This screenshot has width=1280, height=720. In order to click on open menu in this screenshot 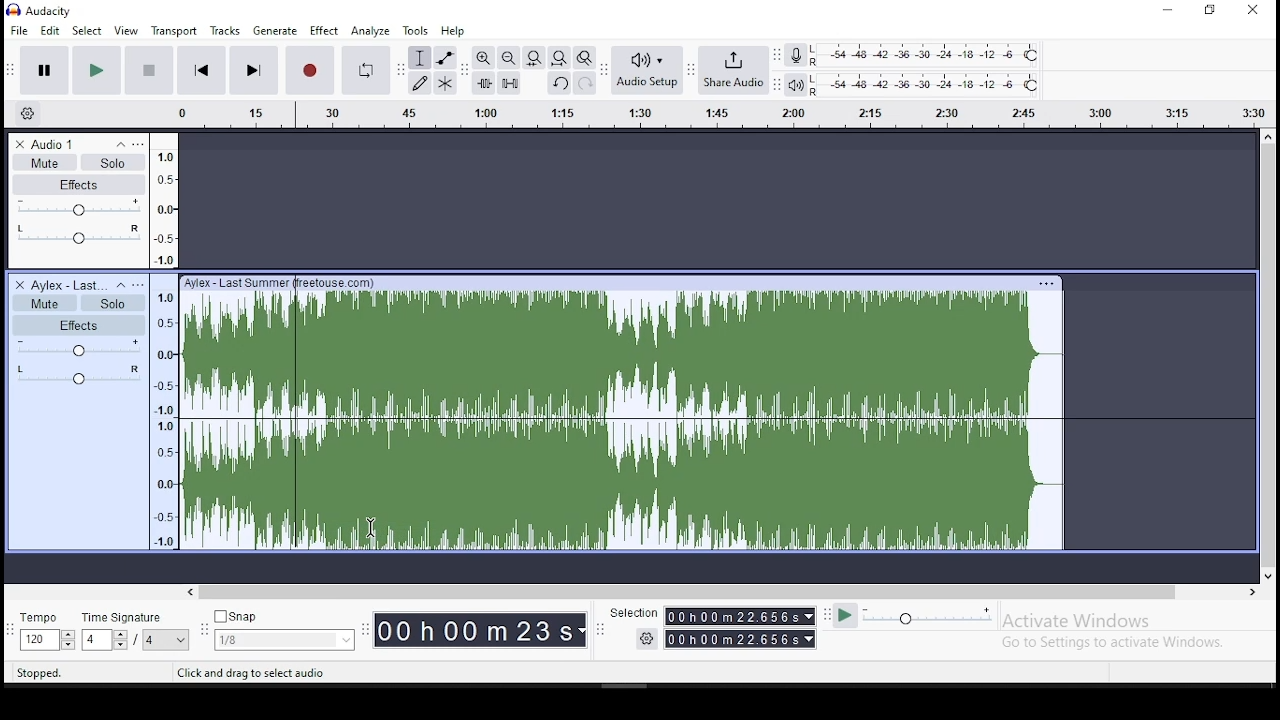, I will do `click(139, 284)`.